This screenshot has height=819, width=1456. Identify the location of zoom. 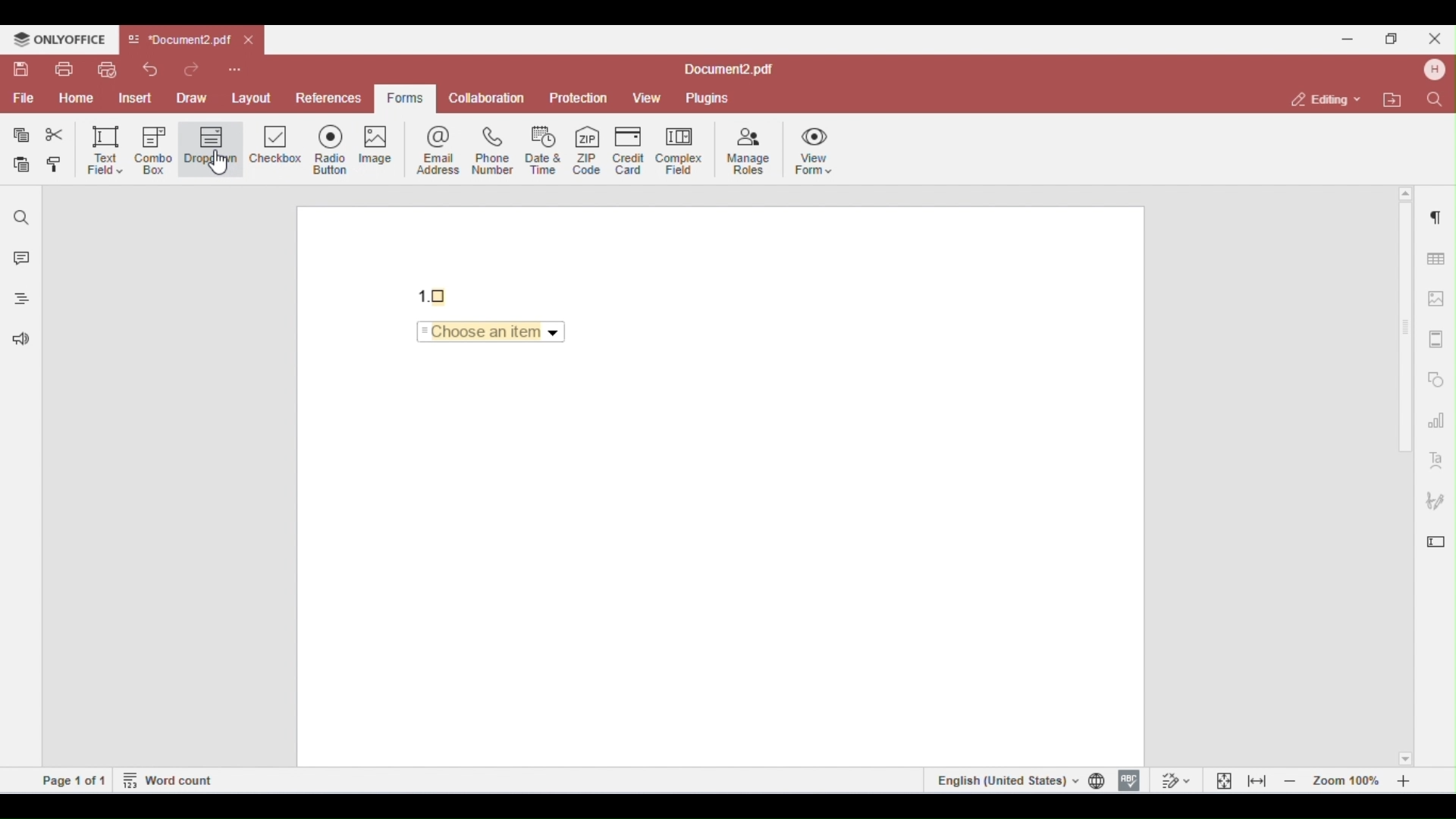
(1351, 780).